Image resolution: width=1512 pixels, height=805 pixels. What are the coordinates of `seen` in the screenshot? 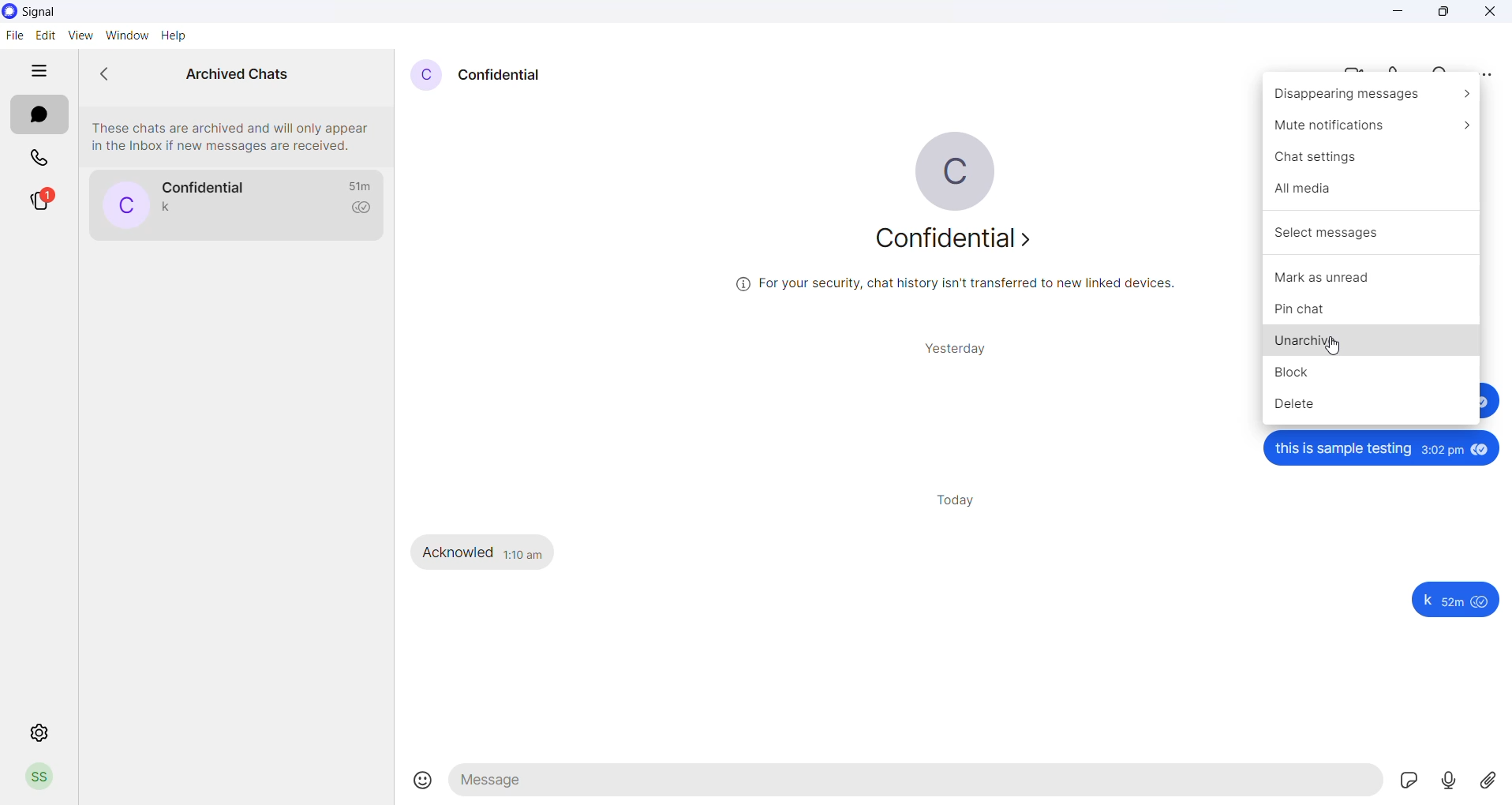 It's located at (1481, 448).